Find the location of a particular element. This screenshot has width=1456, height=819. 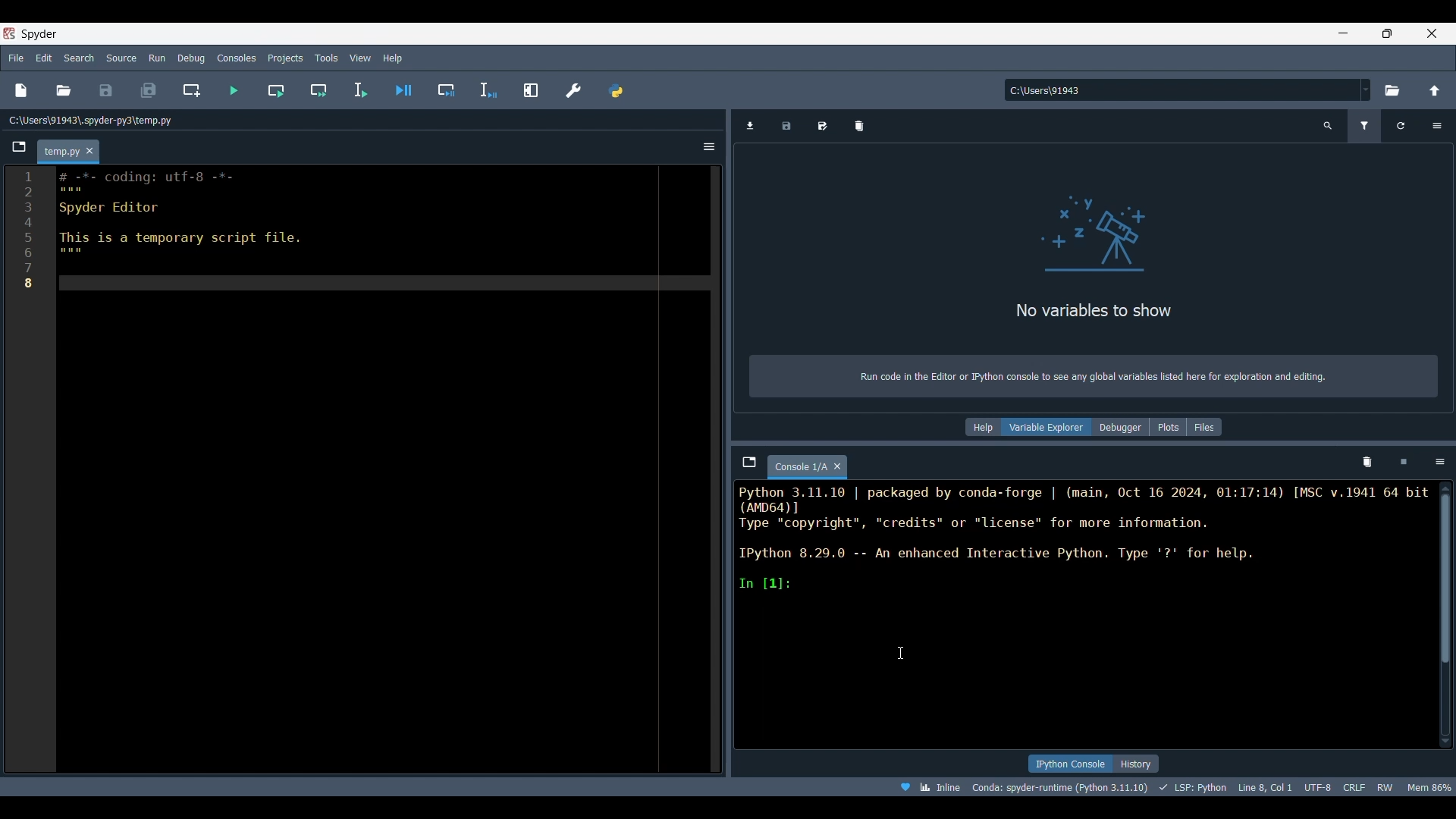

Tools menu is located at coordinates (325, 58).